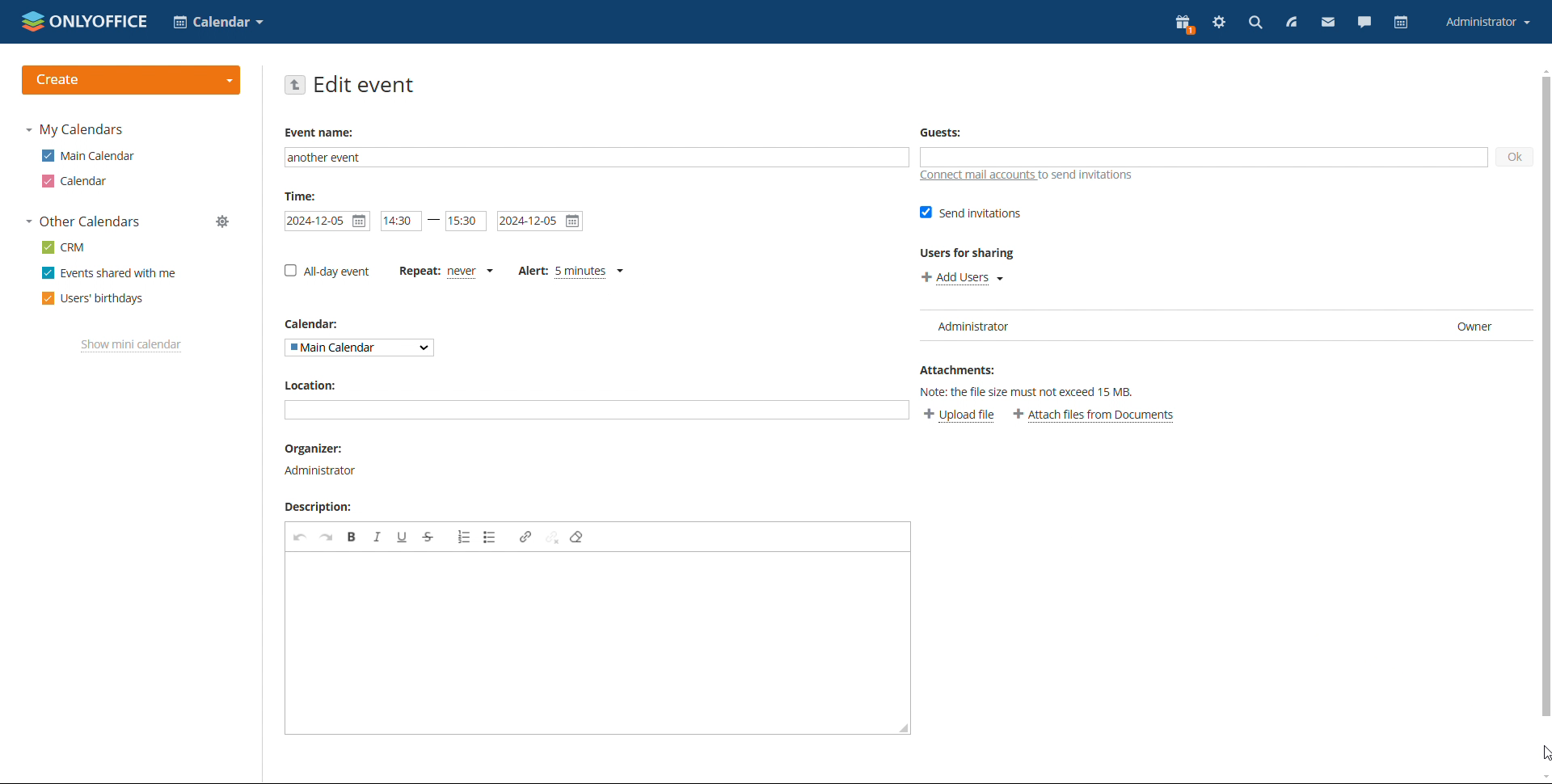  I want to click on scroll down, so click(1542, 777).